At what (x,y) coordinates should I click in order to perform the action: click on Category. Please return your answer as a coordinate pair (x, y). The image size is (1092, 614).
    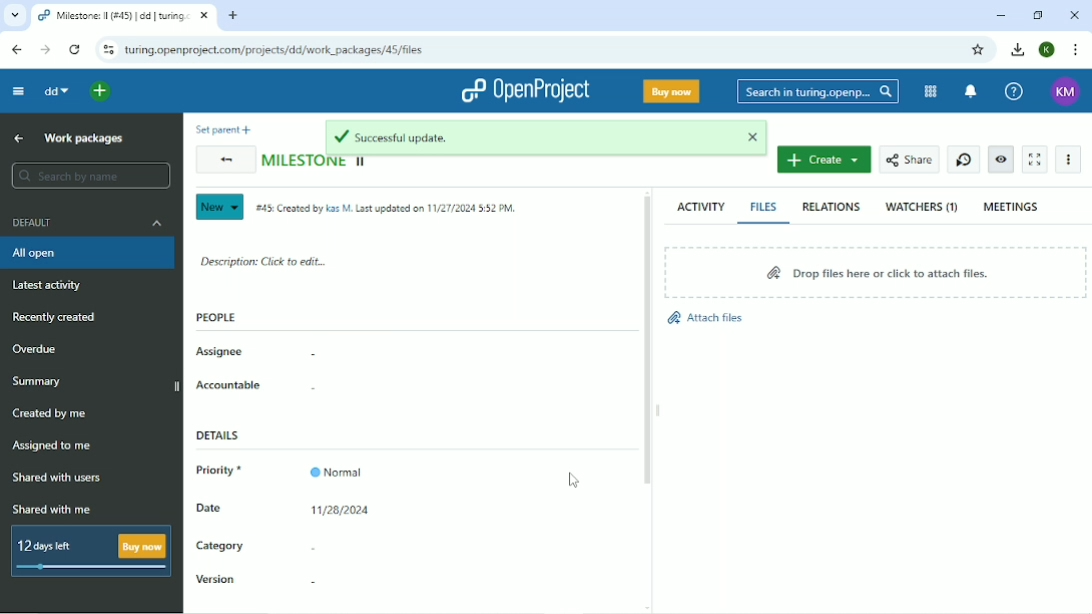
    Looking at the image, I should click on (220, 548).